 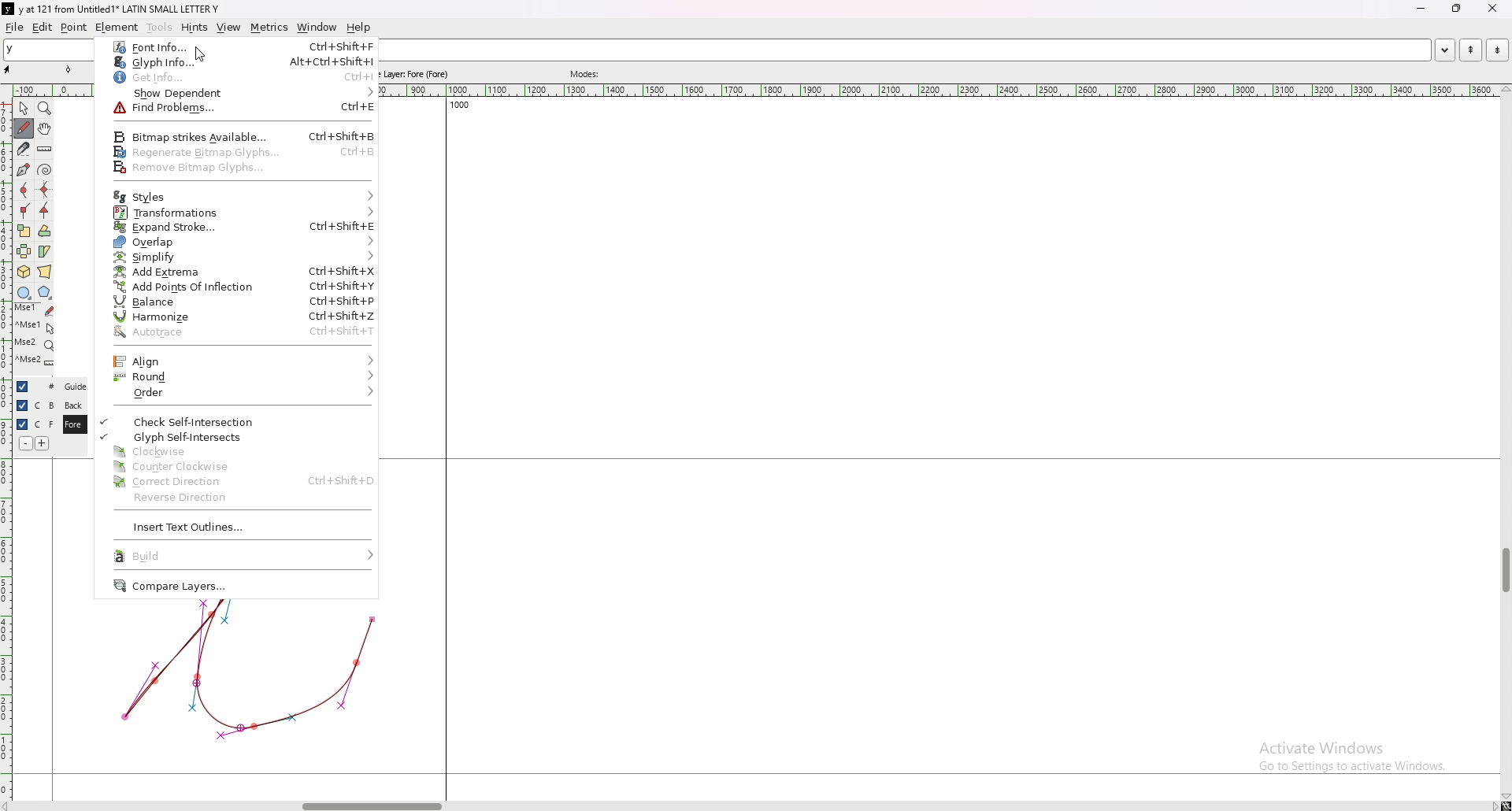 What do you see at coordinates (458, 107) in the screenshot?
I see `1000` at bounding box center [458, 107].